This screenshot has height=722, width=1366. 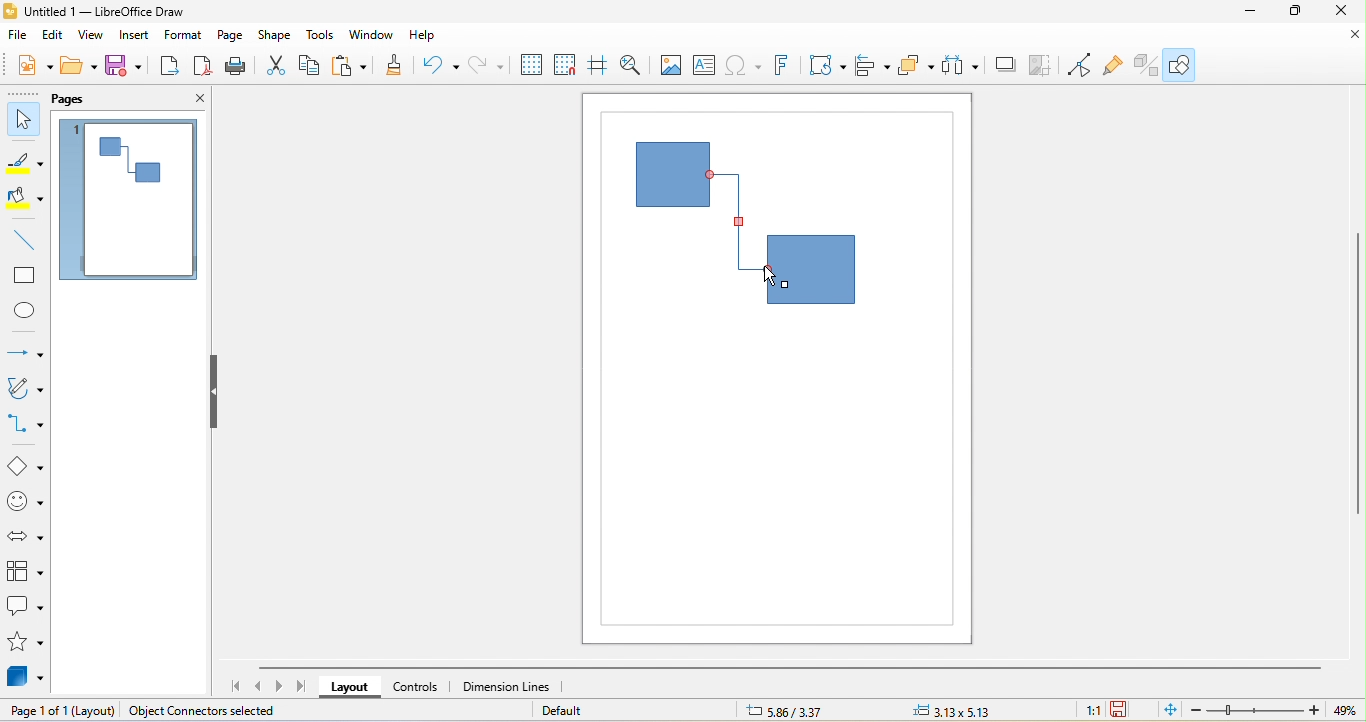 What do you see at coordinates (169, 66) in the screenshot?
I see `export` at bounding box center [169, 66].